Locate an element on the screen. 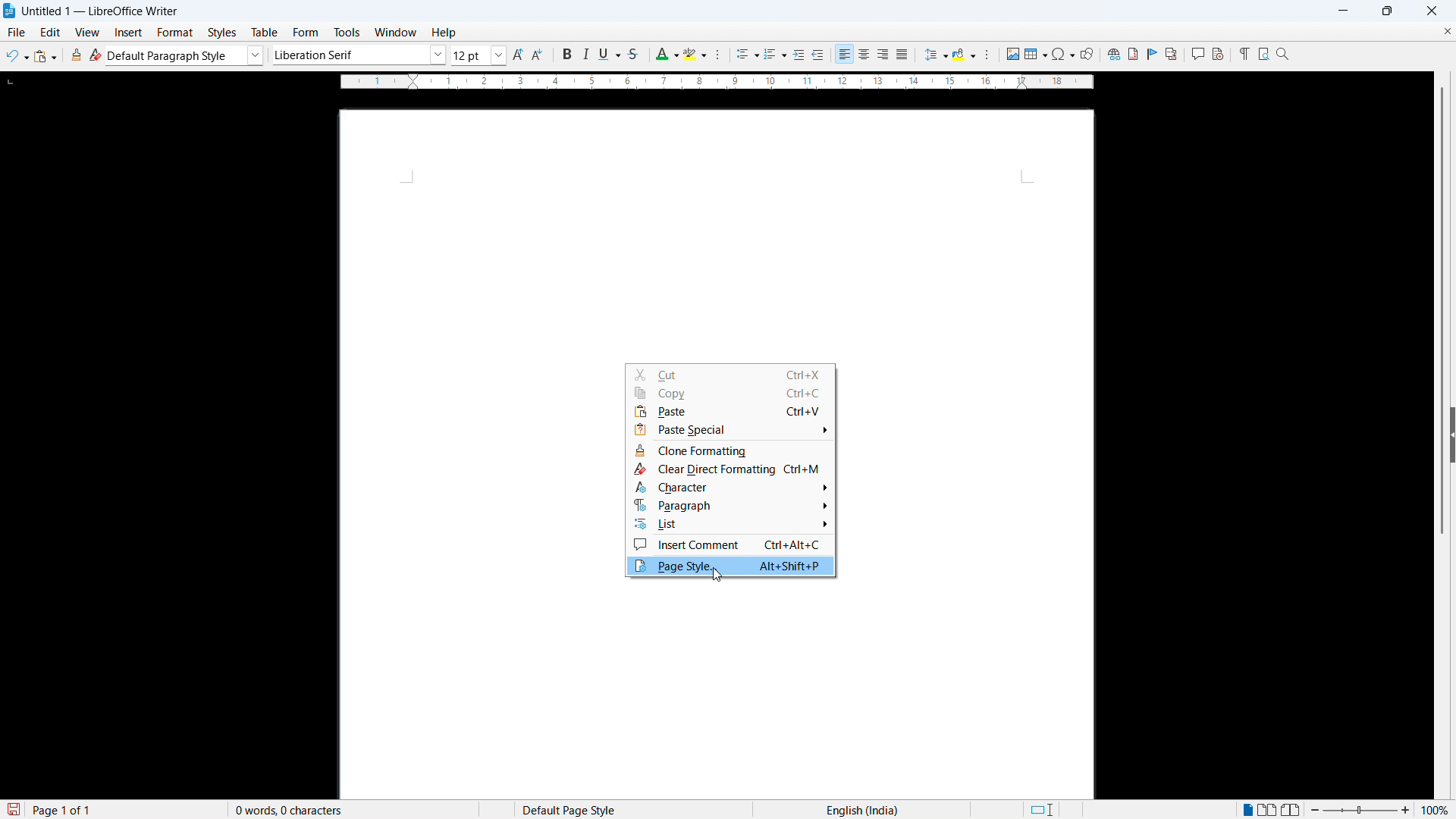  Insert  is located at coordinates (129, 33).